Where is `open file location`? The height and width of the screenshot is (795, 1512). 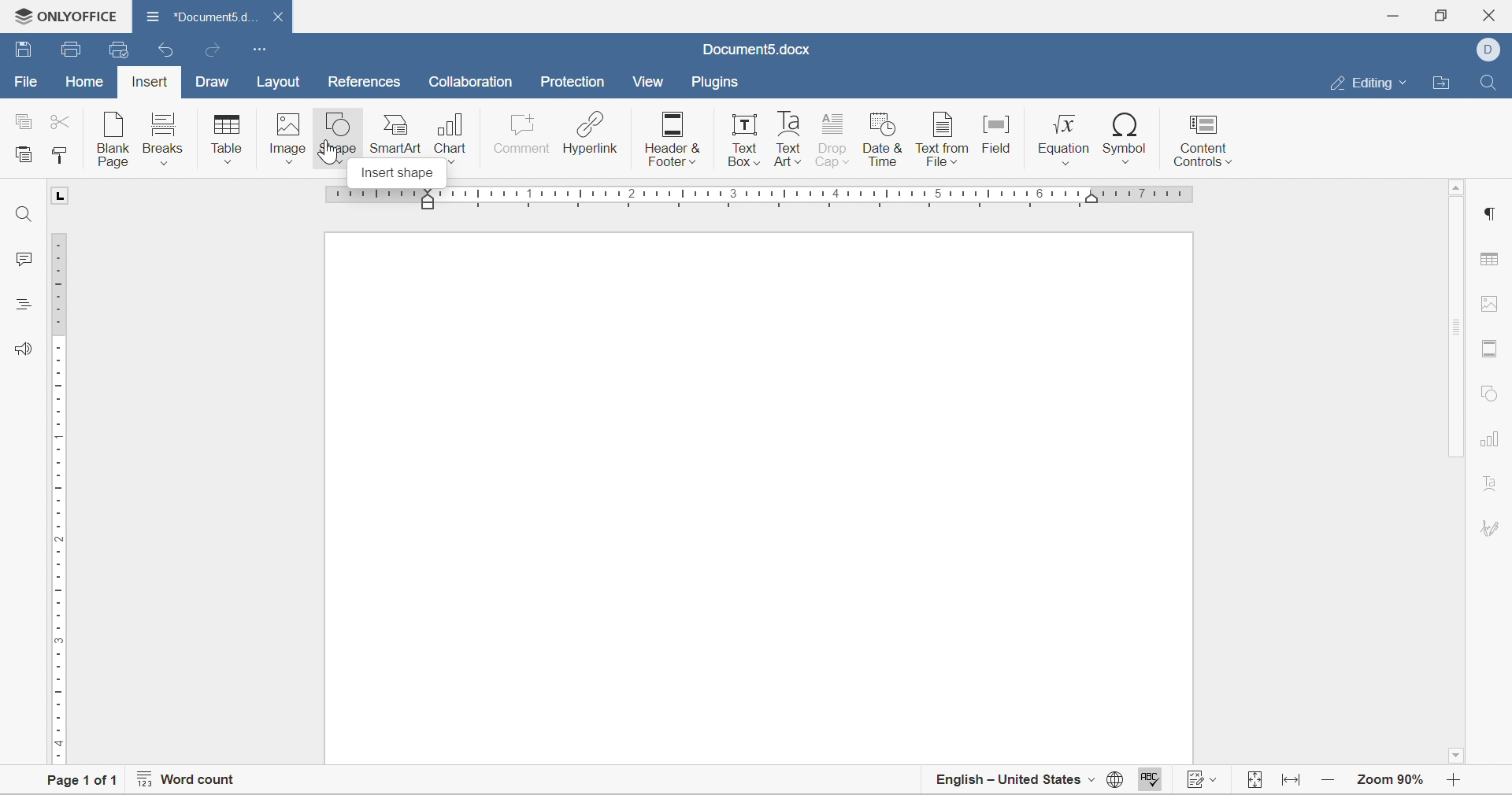 open file location is located at coordinates (1441, 82).